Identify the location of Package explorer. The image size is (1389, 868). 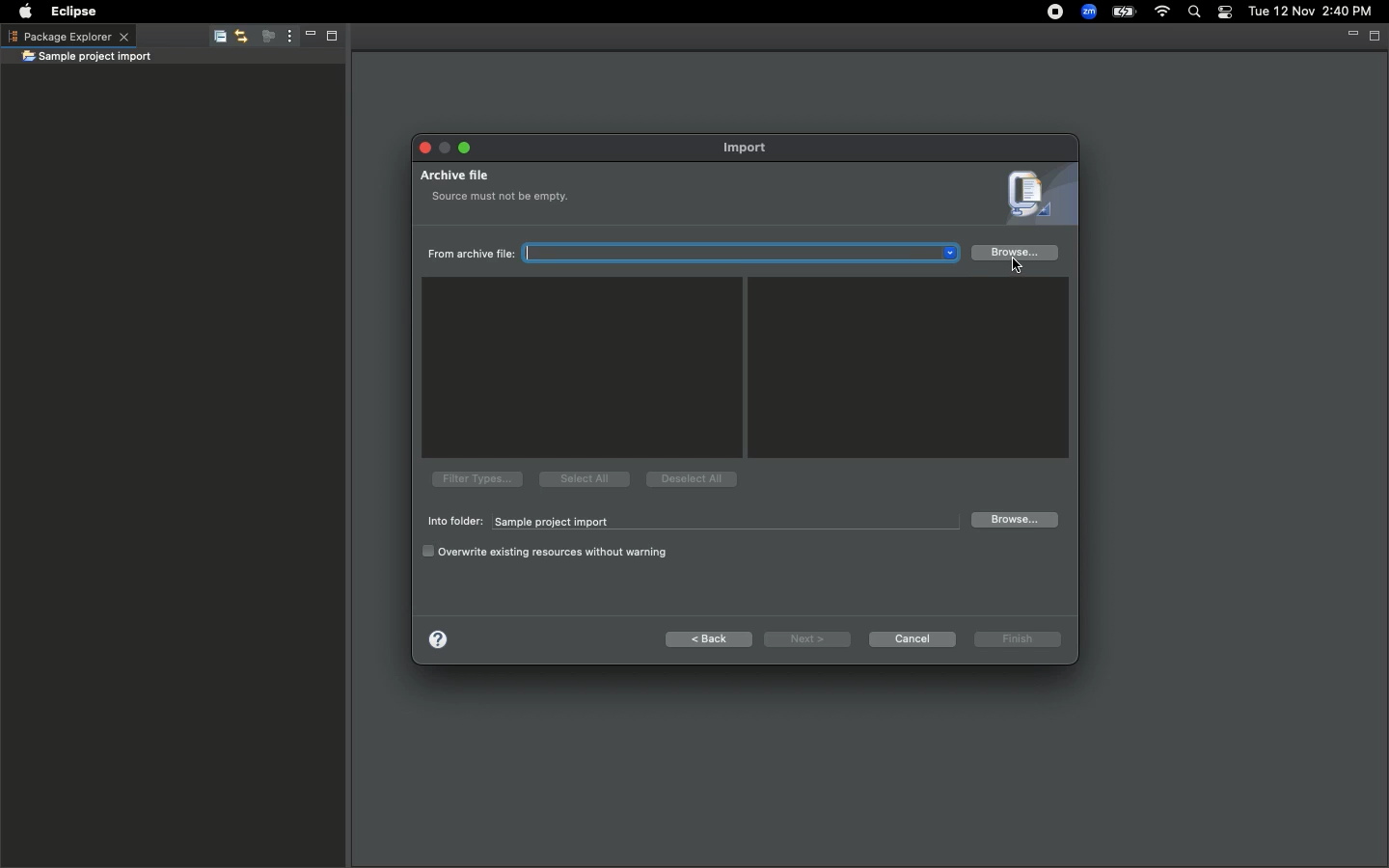
(68, 36).